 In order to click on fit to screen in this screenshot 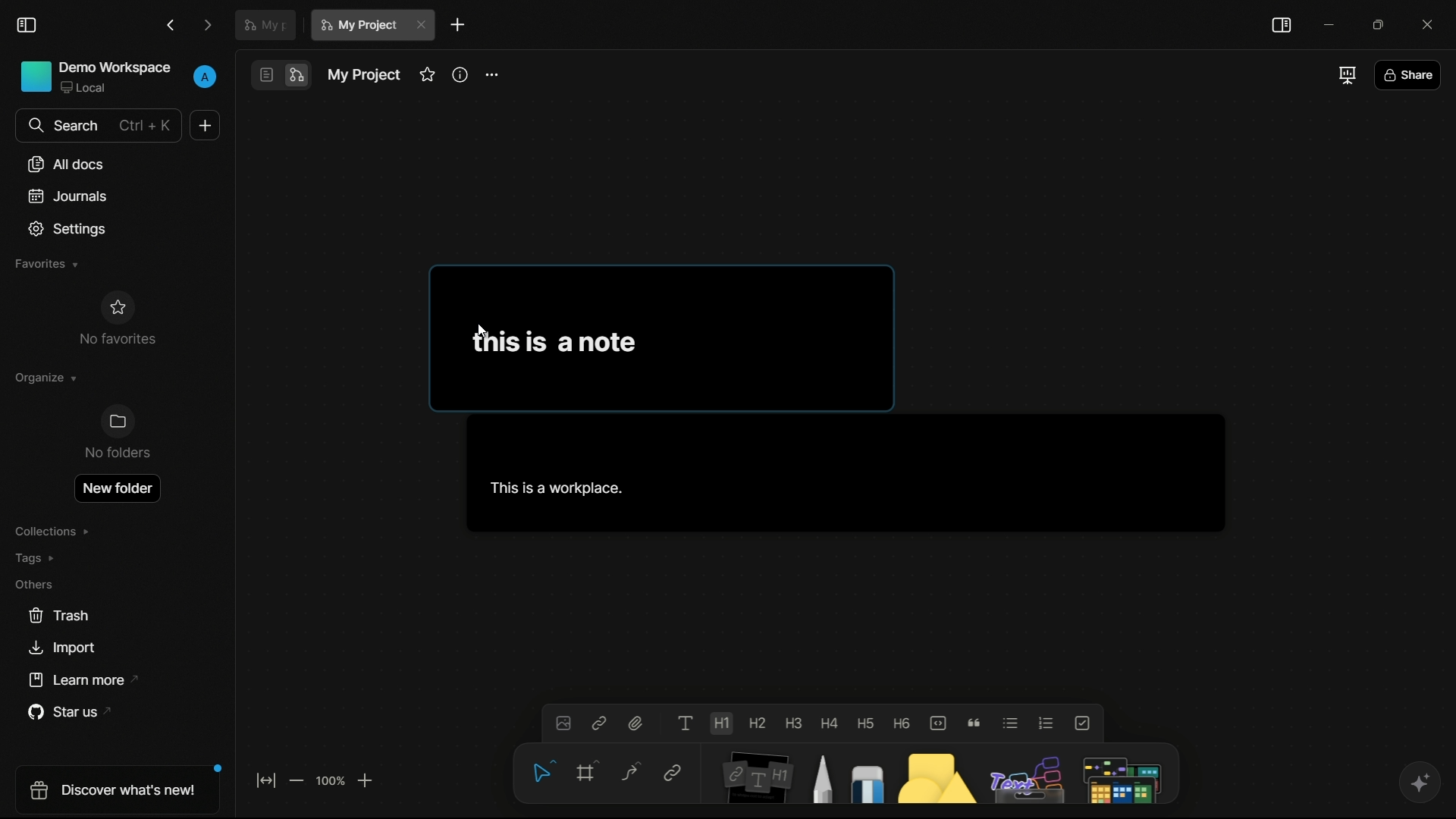, I will do `click(266, 780)`.